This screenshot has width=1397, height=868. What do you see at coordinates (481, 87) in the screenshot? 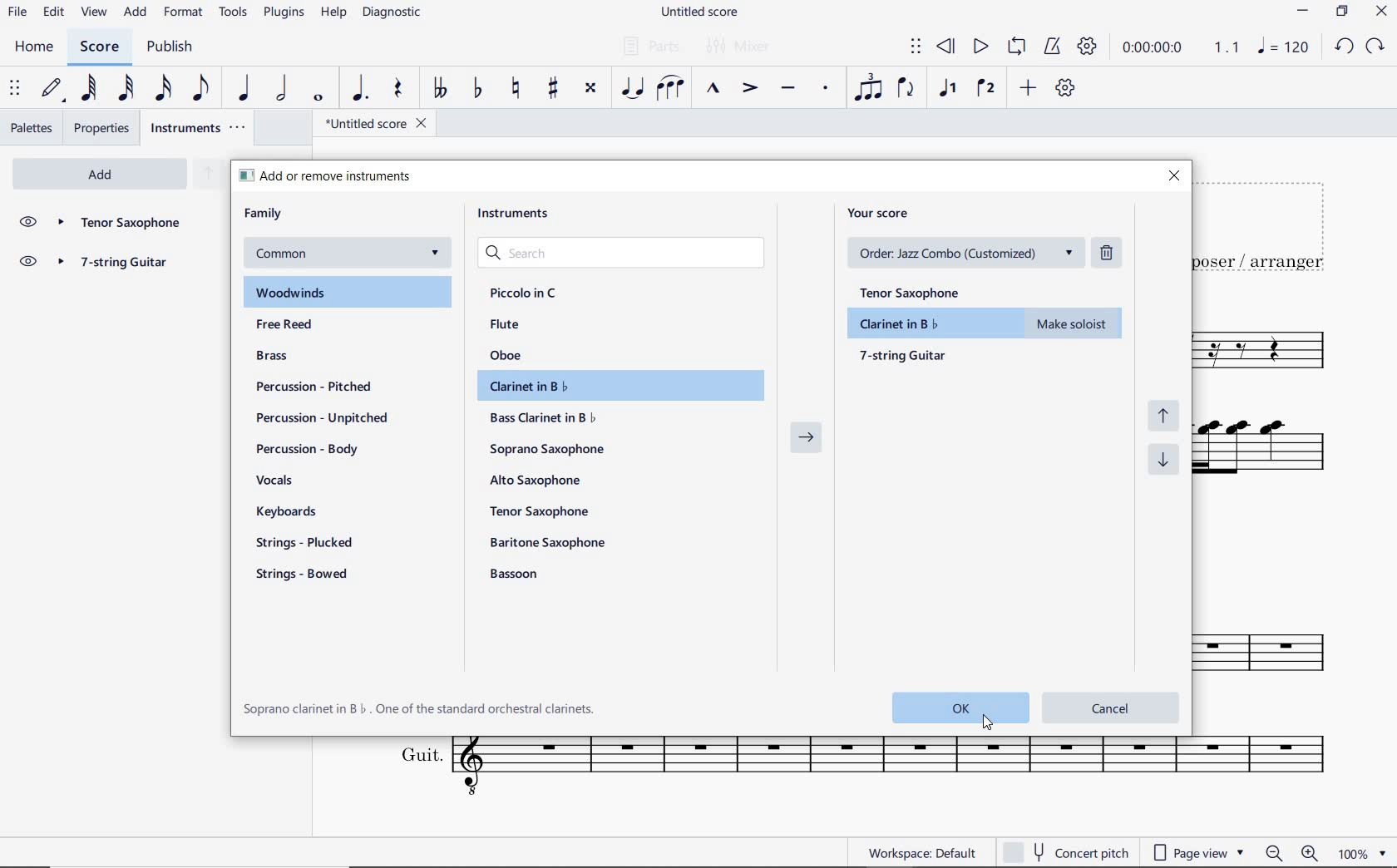
I see `TOGGLE FLAT` at bounding box center [481, 87].